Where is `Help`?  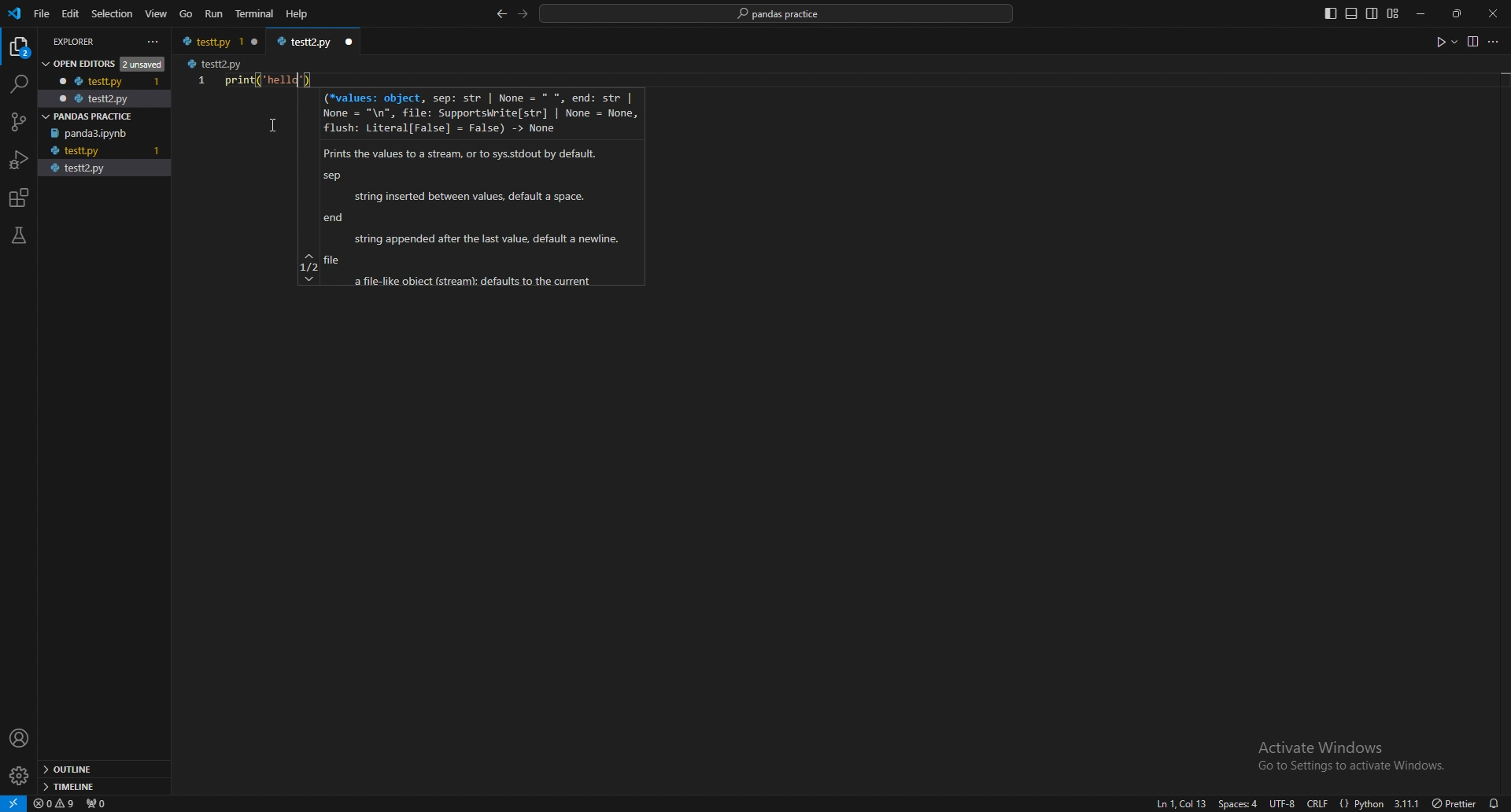
Help is located at coordinates (296, 14).